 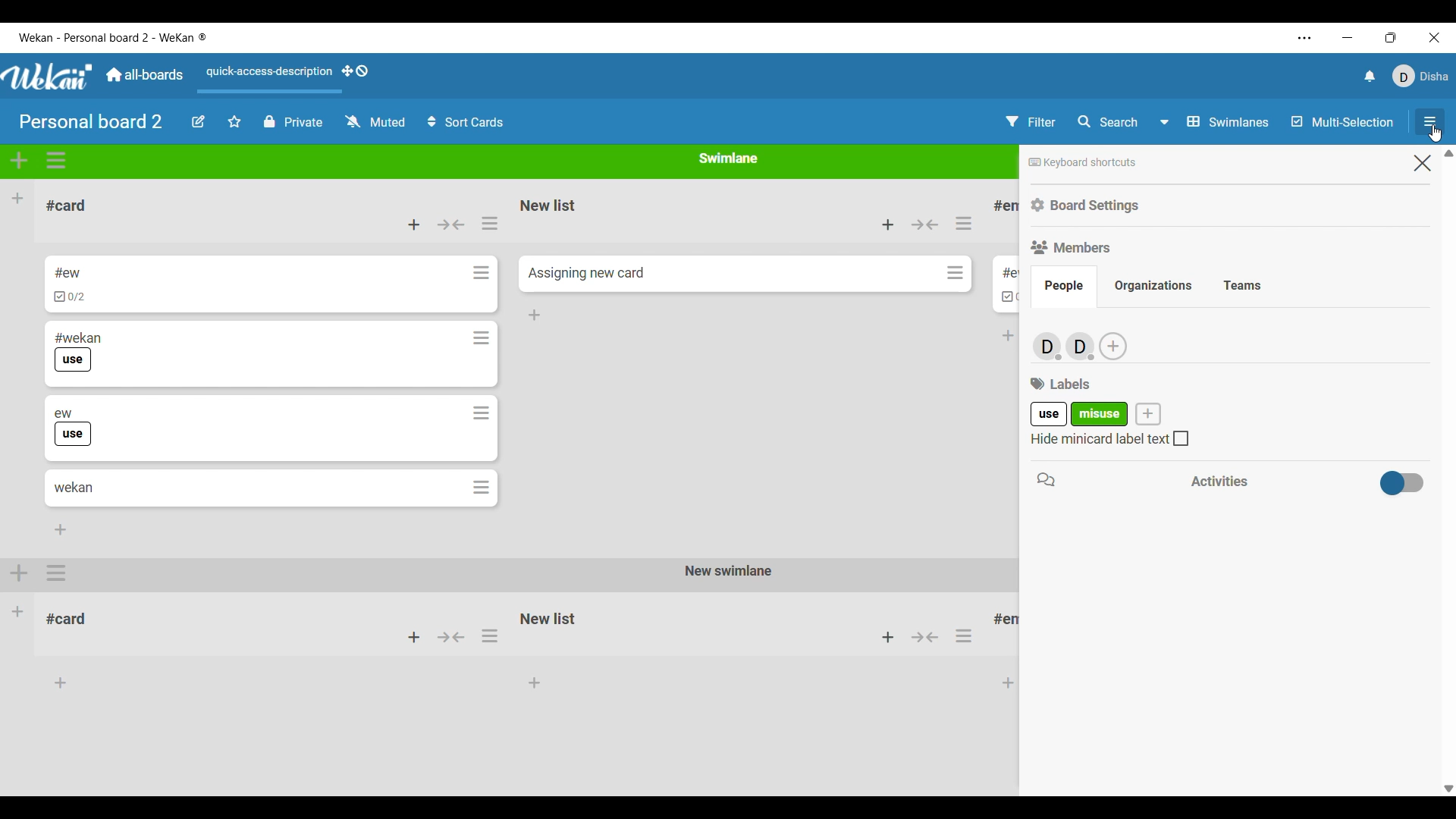 I want to click on Add card to top of list, so click(x=414, y=224).